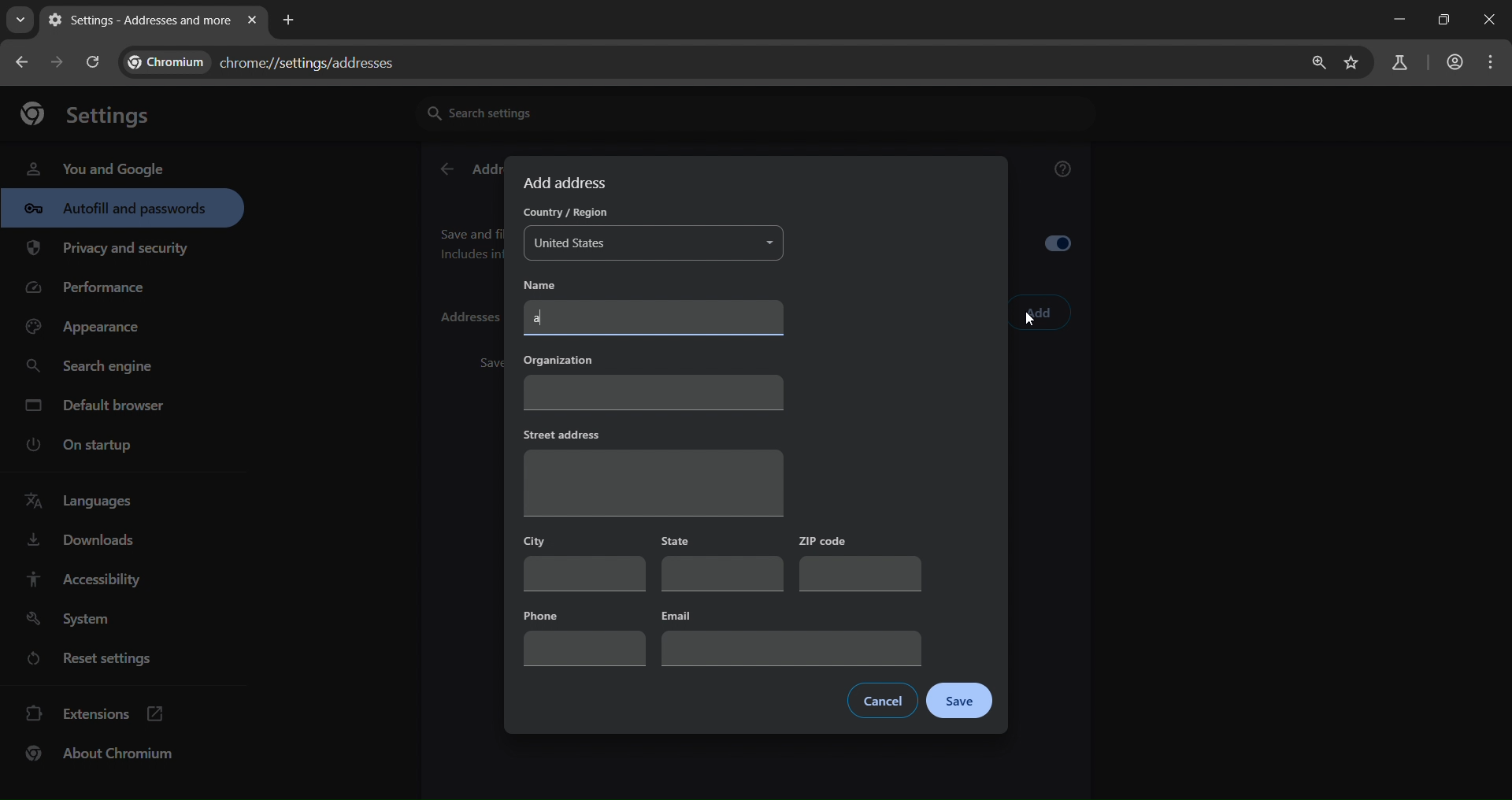  I want to click on cancel, so click(883, 701).